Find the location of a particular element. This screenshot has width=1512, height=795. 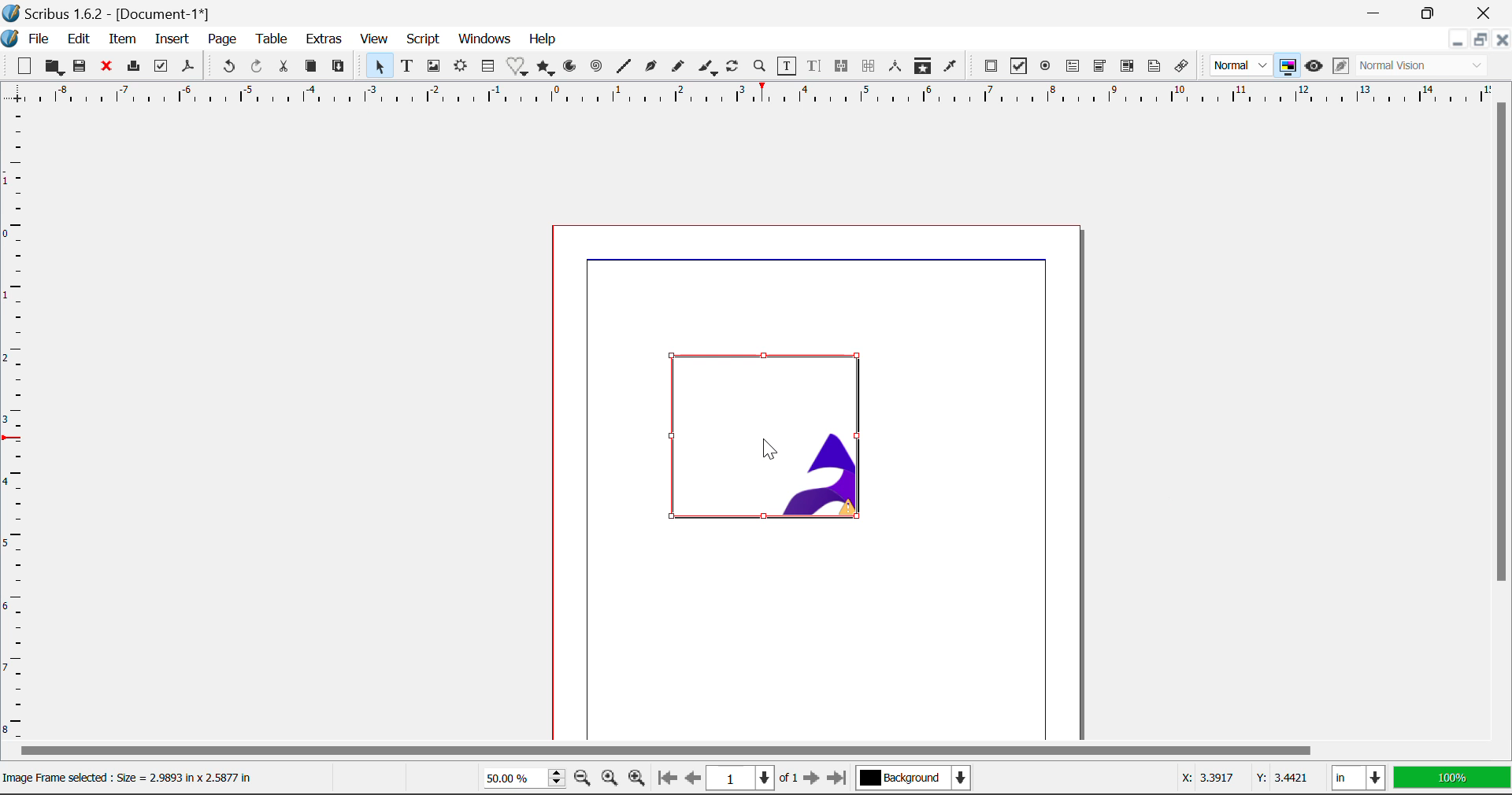

Select is located at coordinates (378, 66).